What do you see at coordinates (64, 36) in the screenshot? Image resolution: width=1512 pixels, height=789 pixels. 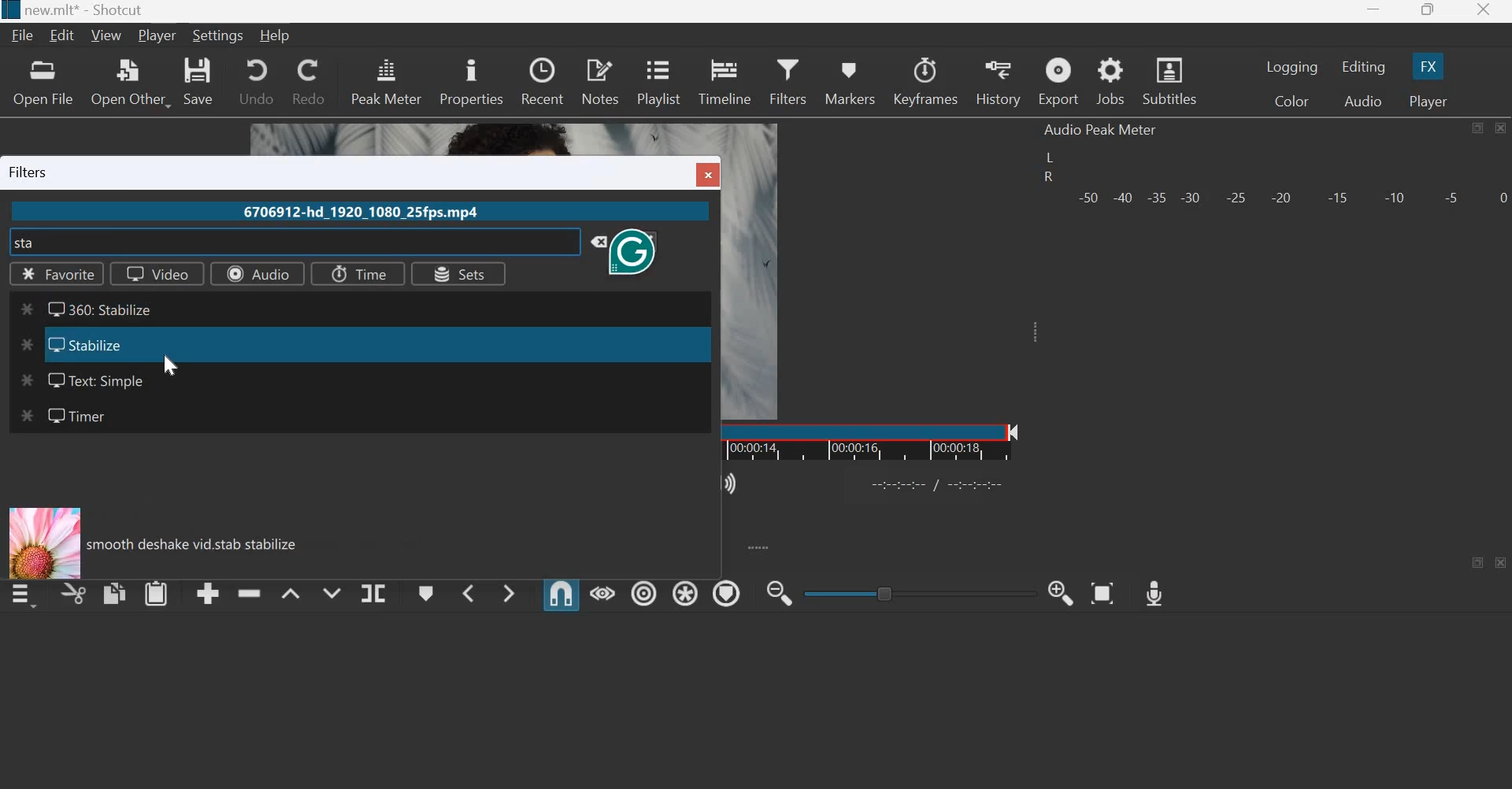 I see `Edit` at bounding box center [64, 36].